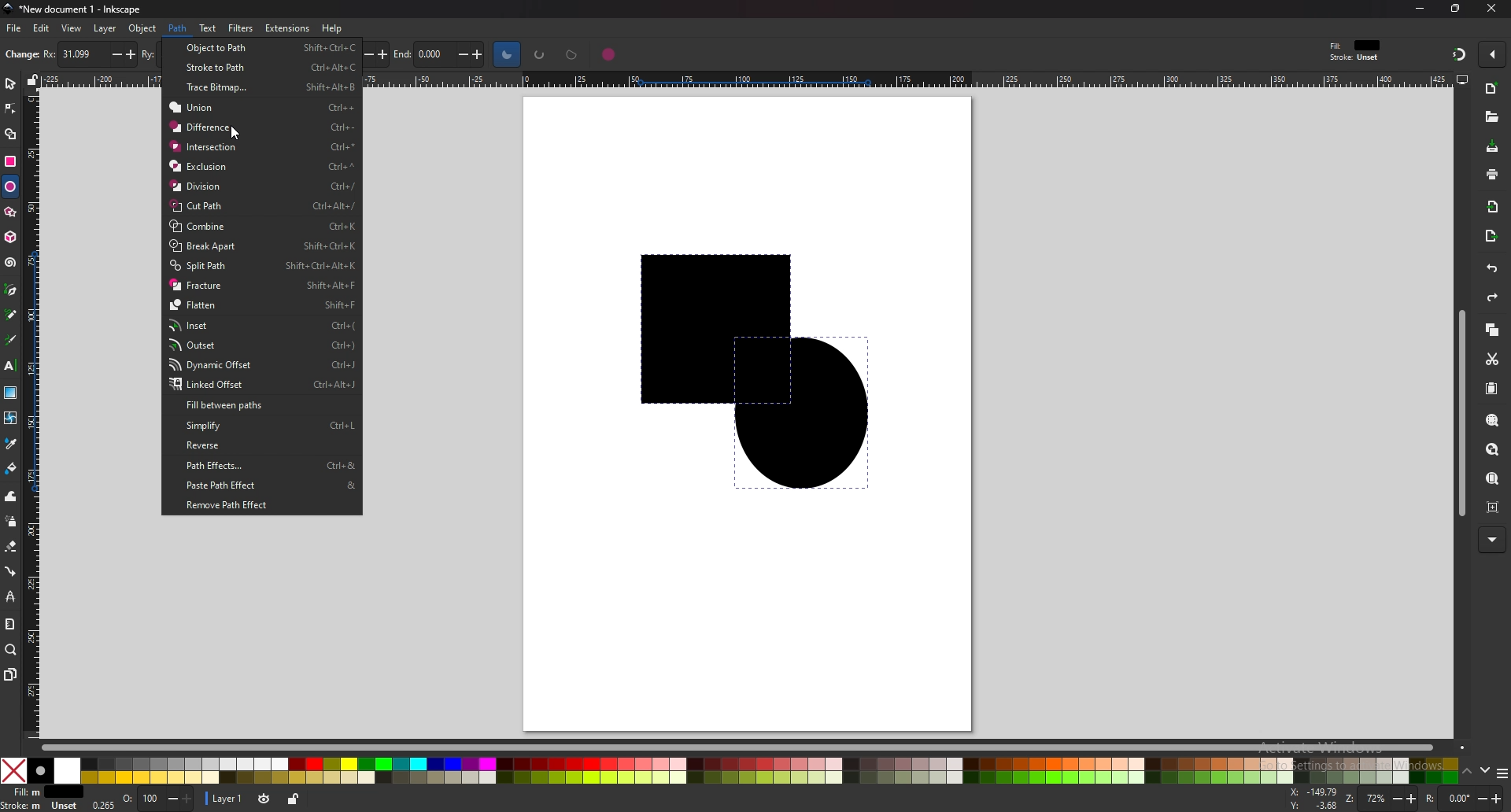 This screenshot has height=812, width=1511. Describe the element at coordinates (1492, 205) in the screenshot. I see `import` at that location.